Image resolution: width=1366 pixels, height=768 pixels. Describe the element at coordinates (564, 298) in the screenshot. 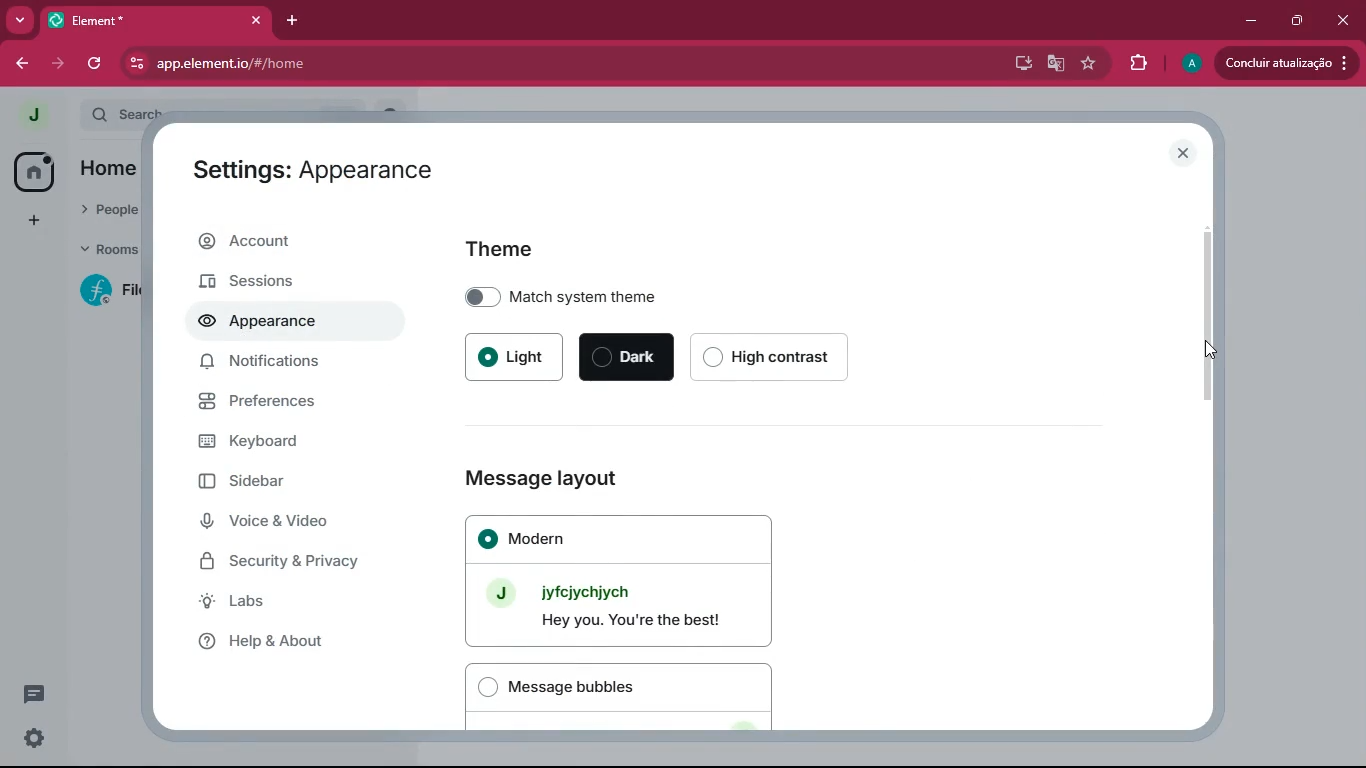

I see `Match system theme` at that location.